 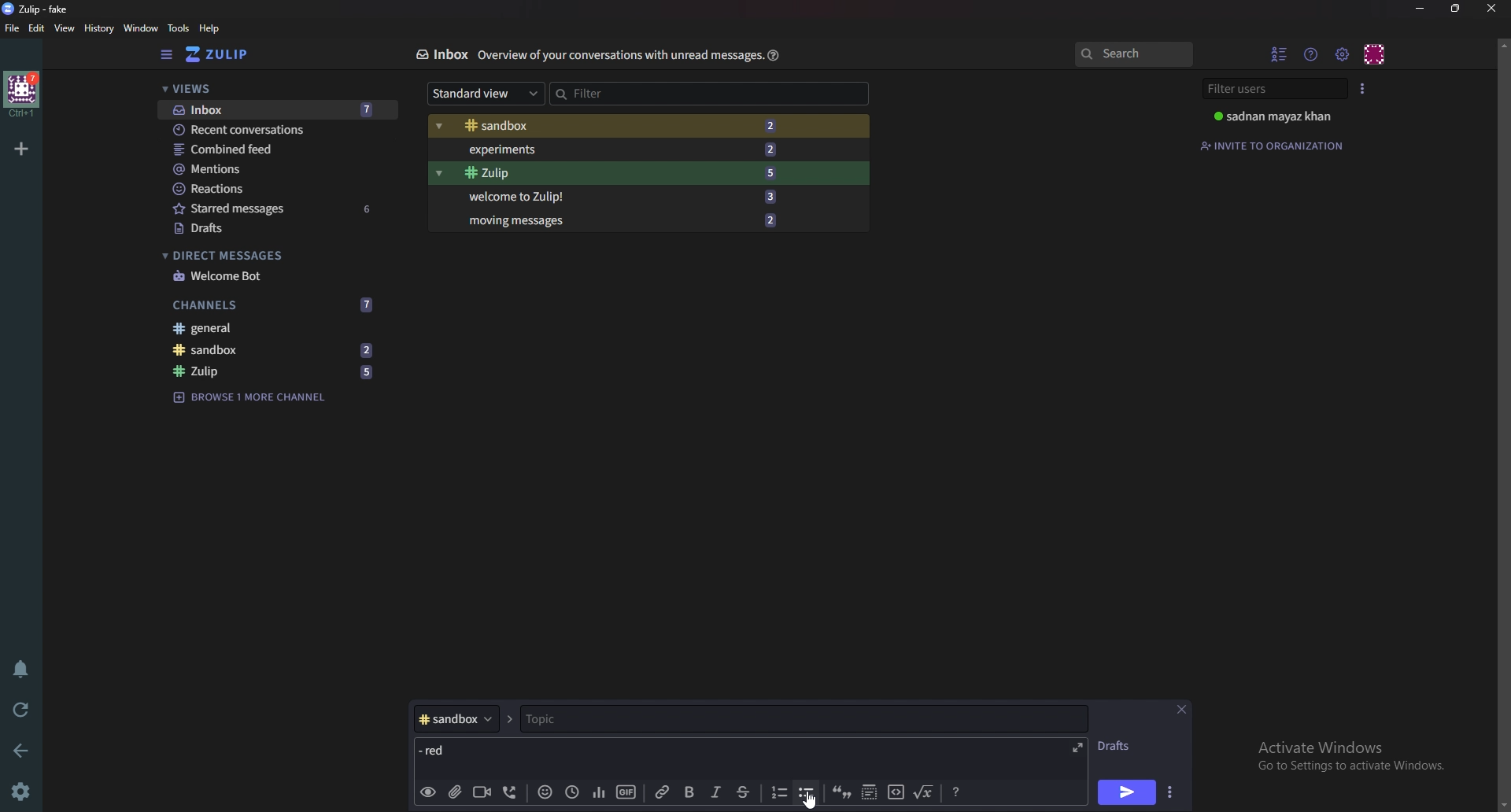 What do you see at coordinates (276, 189) in the screenshot?
I see `Reactions` at bounding box center [276, 189].